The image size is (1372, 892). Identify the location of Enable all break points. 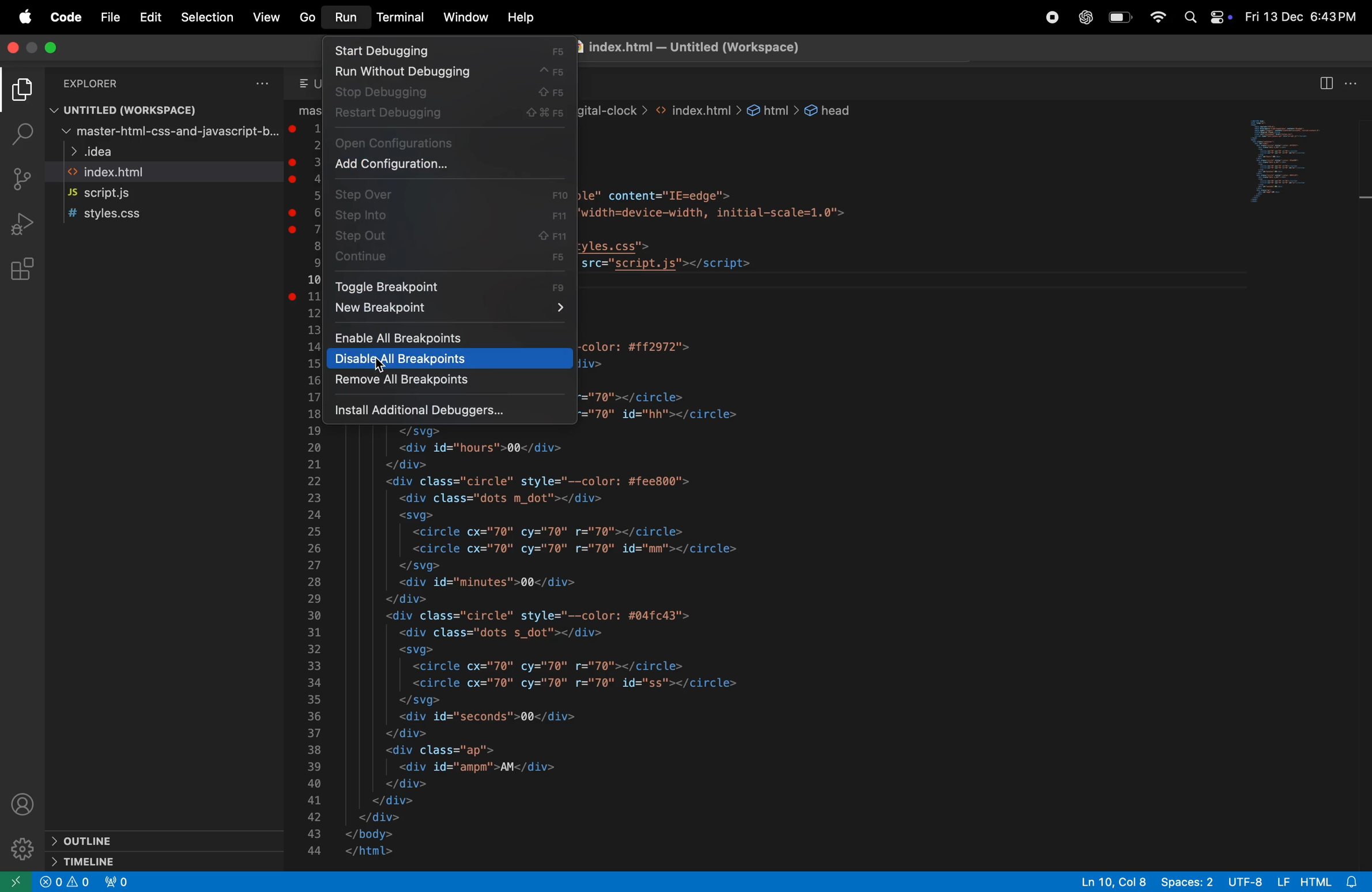
(448, 335).